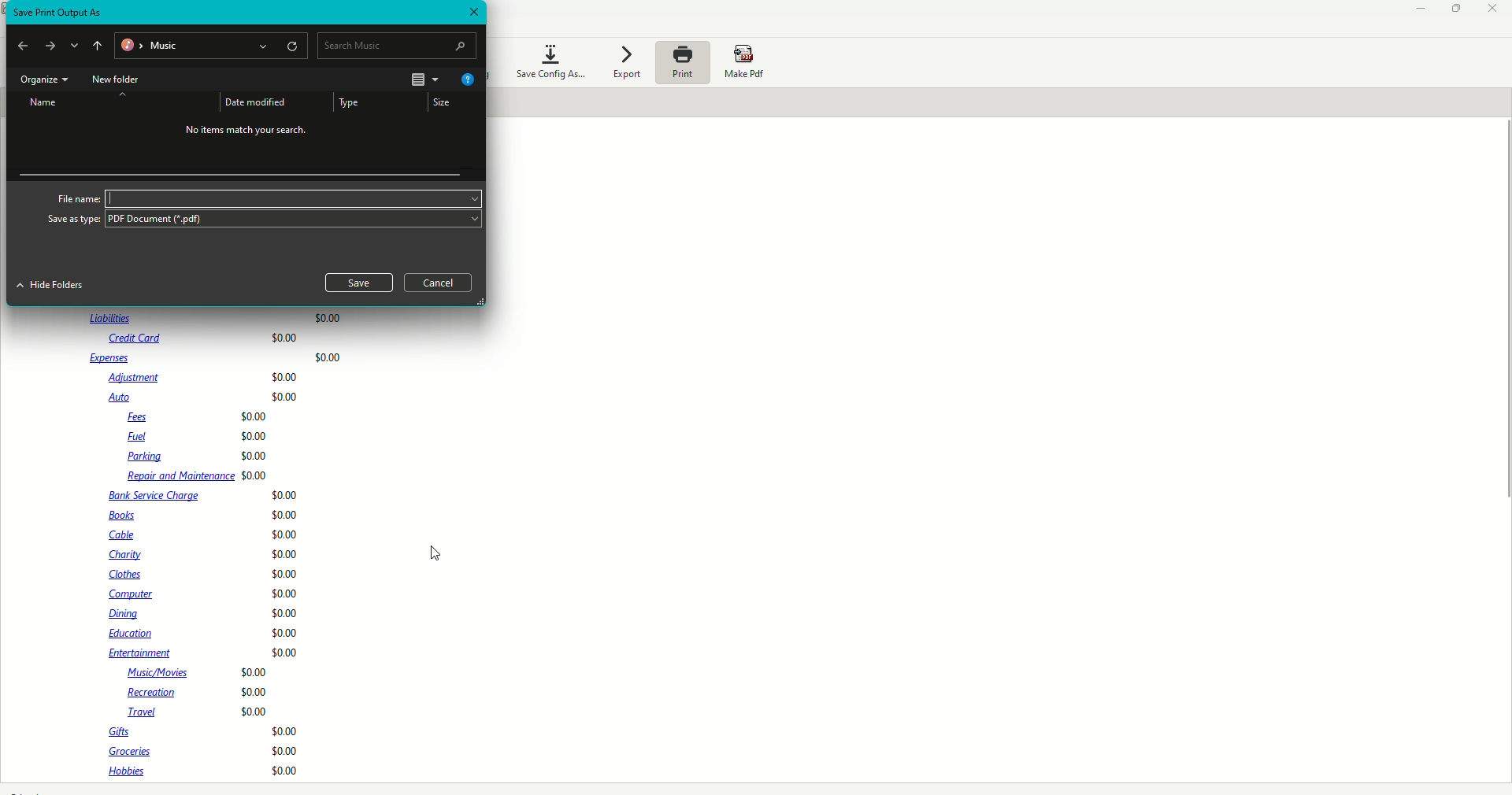 This screenshot has width=1512, height=795. Describe the element at coordinates (550, 60) in the screenshot. I see `Save Config as` at that location.